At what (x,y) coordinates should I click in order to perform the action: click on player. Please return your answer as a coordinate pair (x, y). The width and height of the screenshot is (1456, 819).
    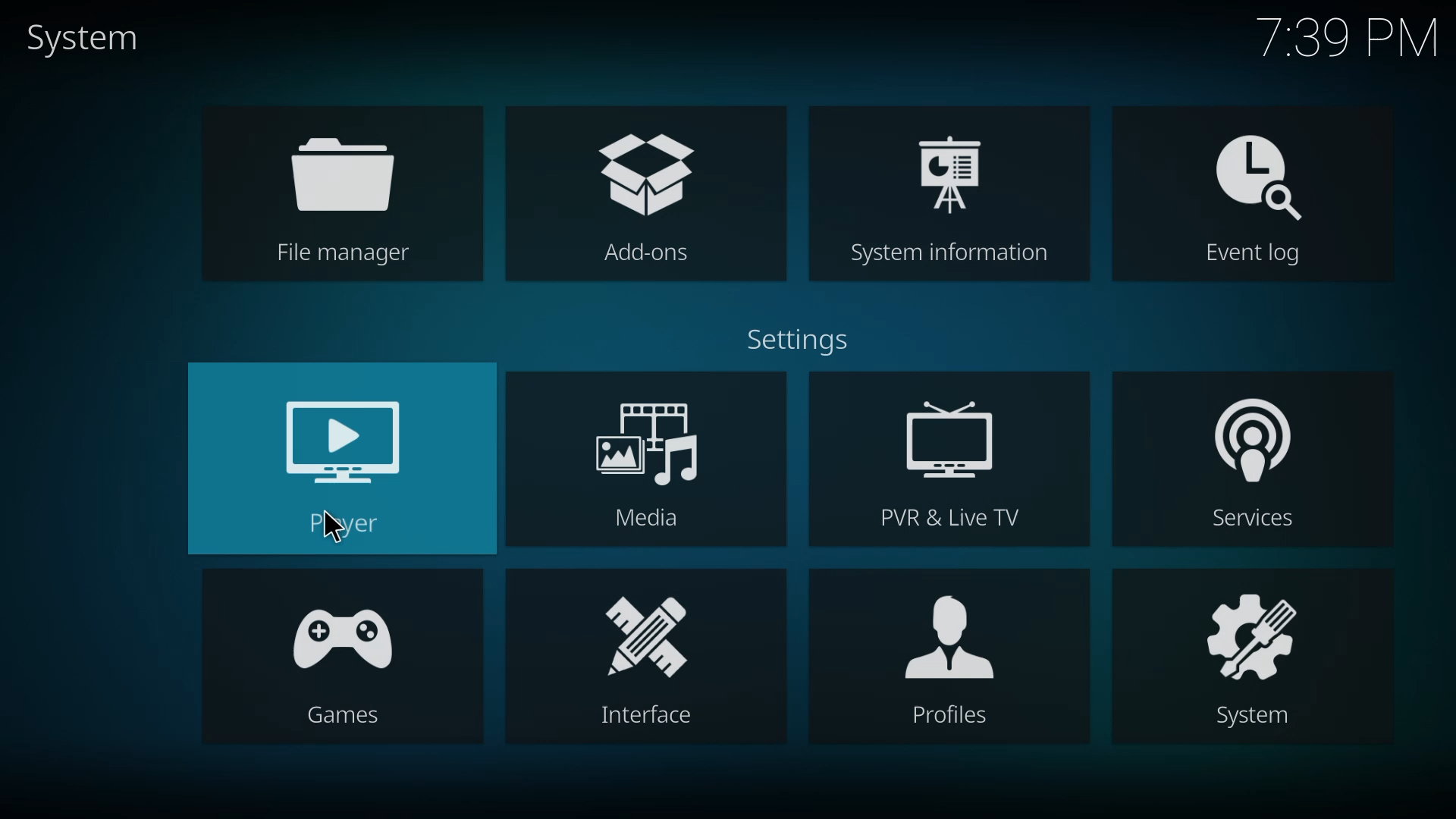
    Looking at the image, I should click on (344, 462).